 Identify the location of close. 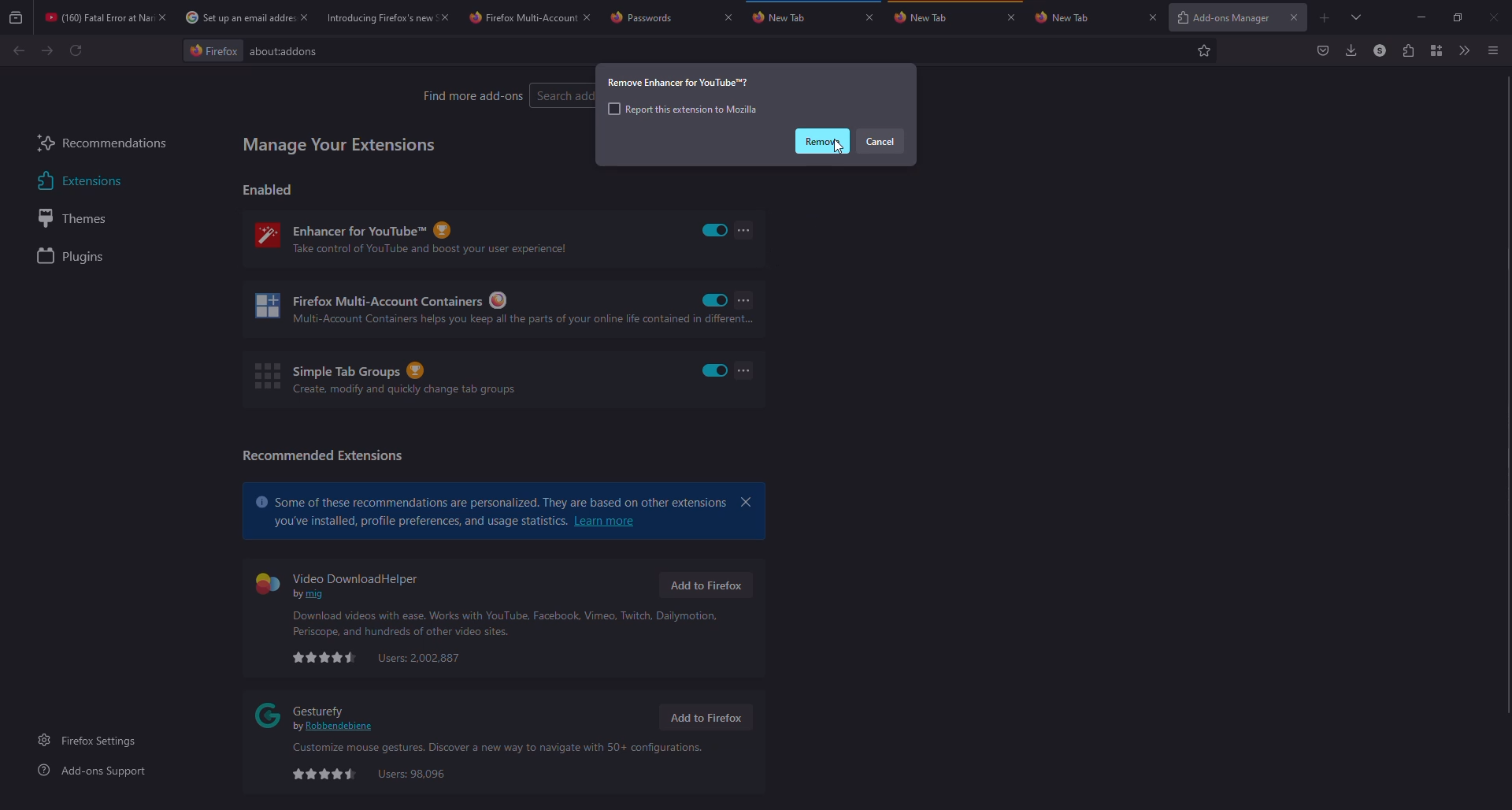
(869, 17).